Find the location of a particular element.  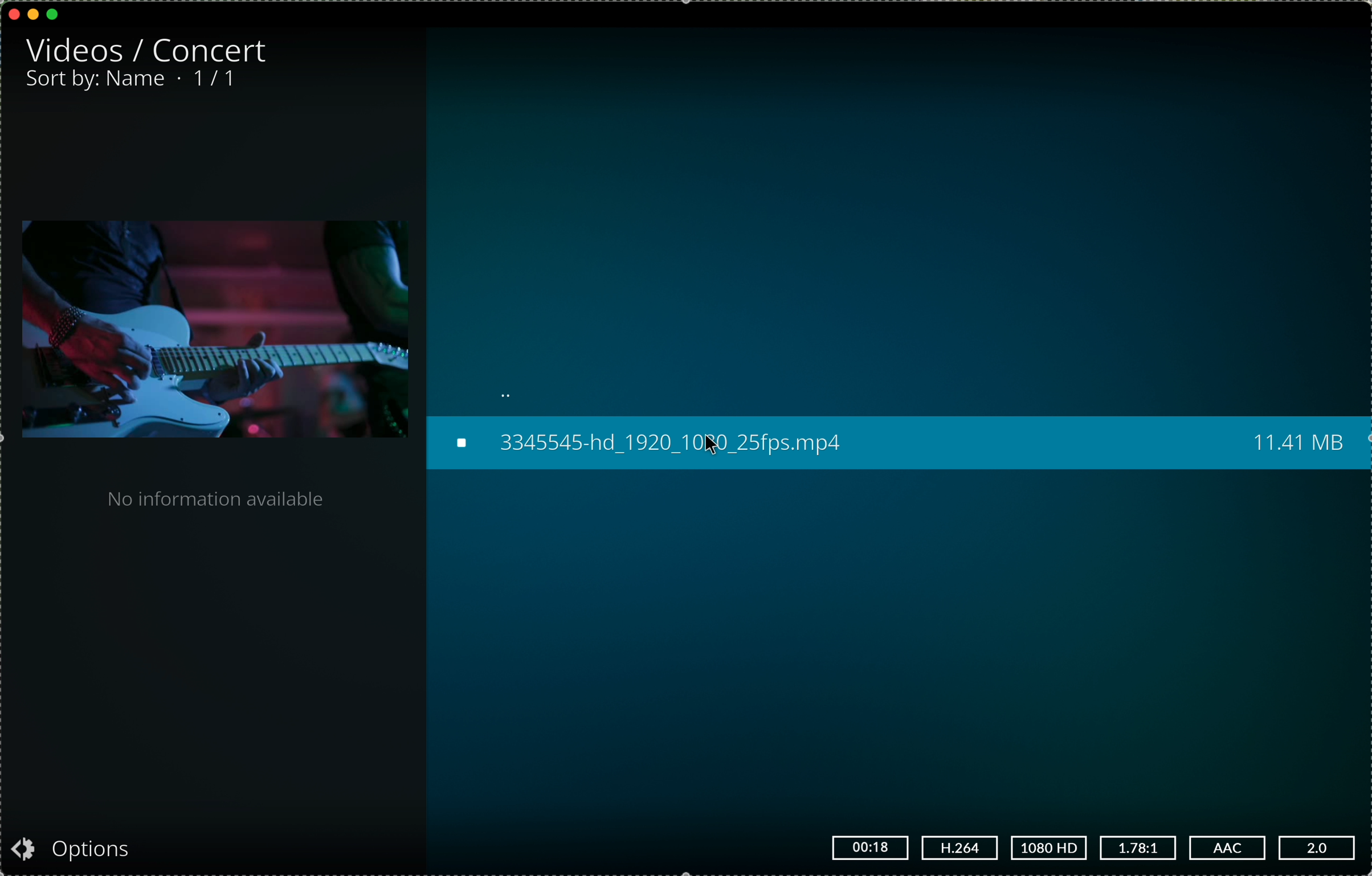

2.0 is located at coordinates (1317, 848).